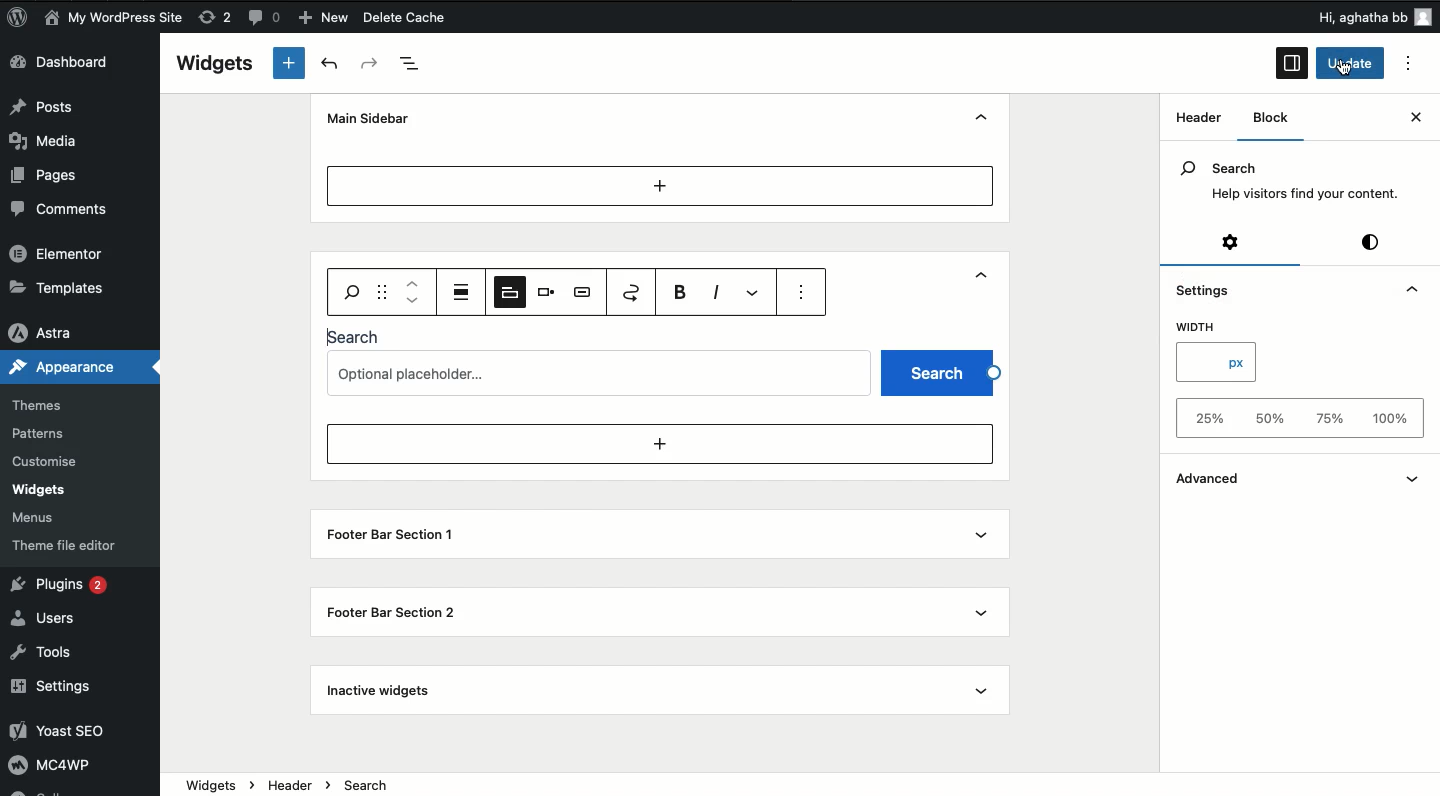 This screenshot has height=796, width=1440. I want to click on add new block, so click(659, 444).